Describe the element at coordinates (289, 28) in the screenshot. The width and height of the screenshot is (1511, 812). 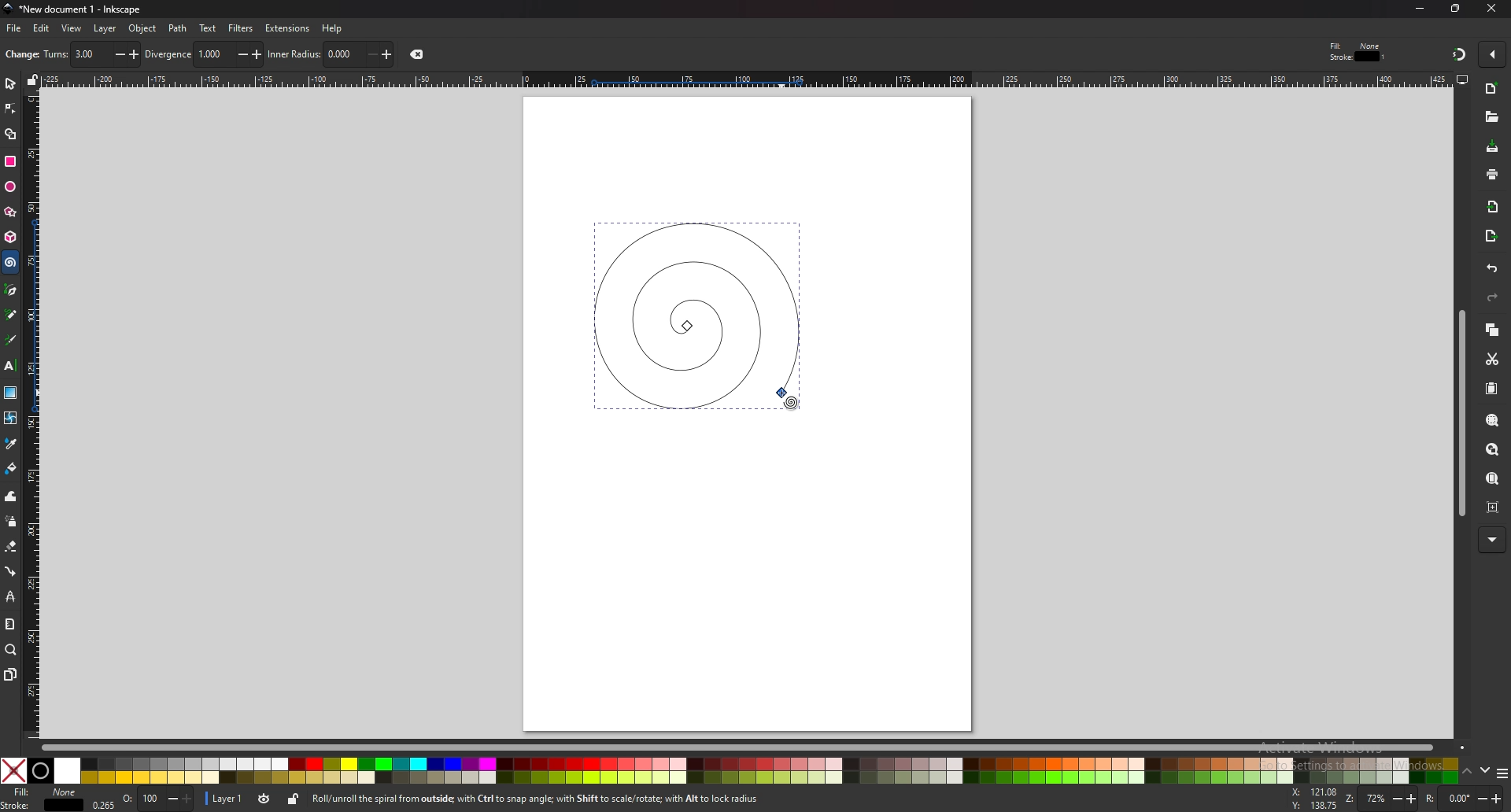
I see `extensions` at that location.